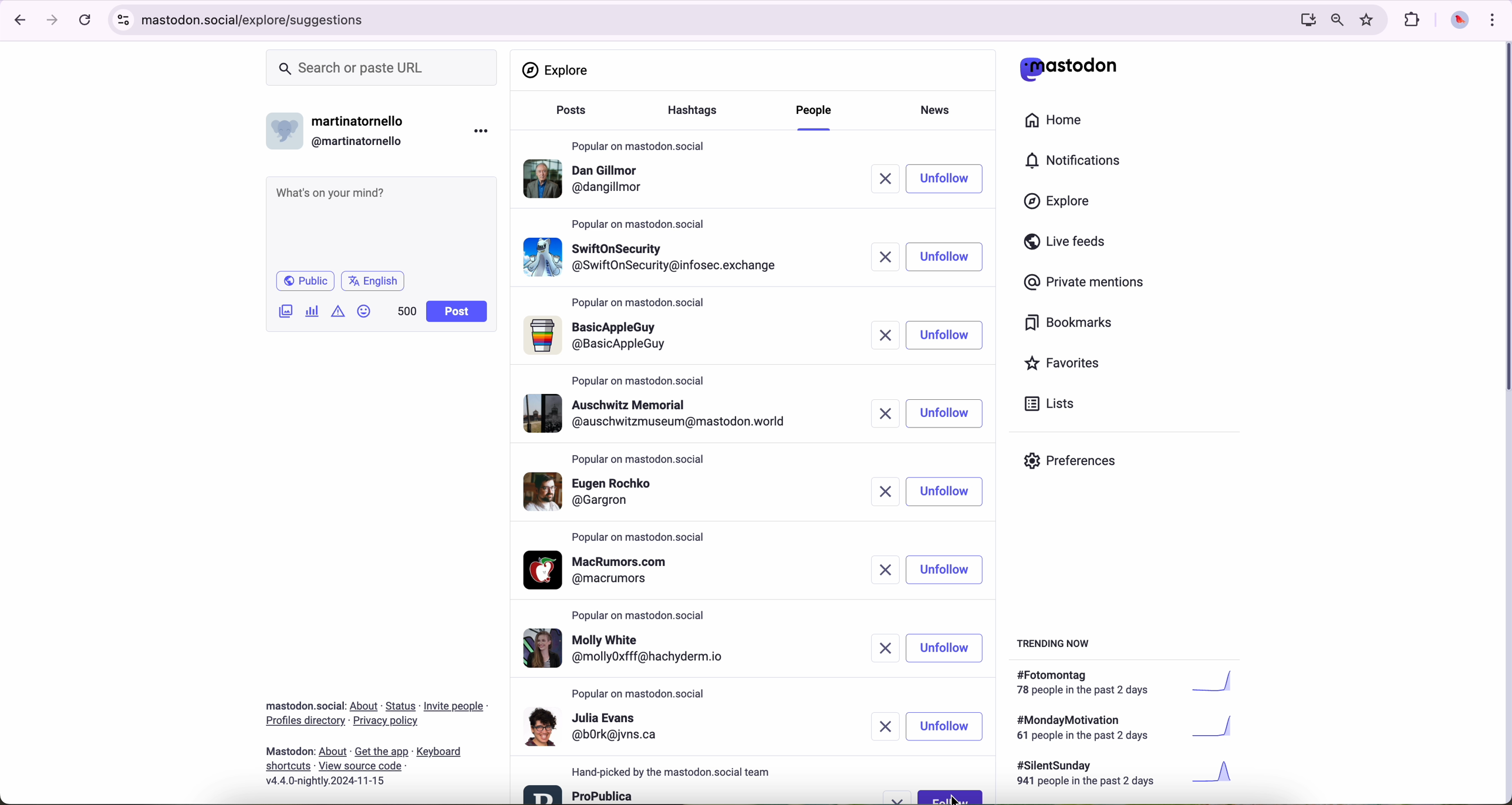  I want to click on hasgtags, so click(699, 112).